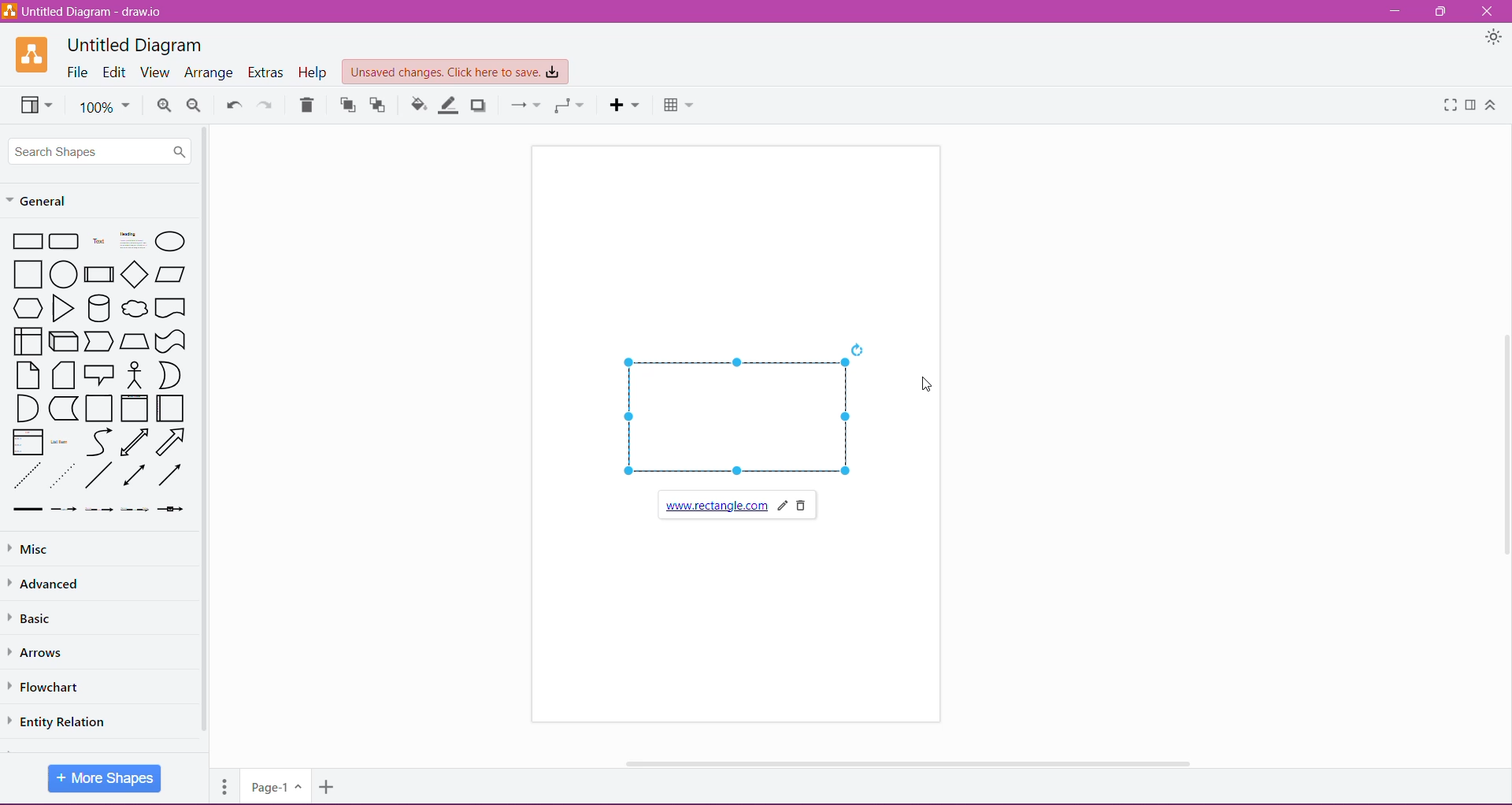 The height and width of the screenshot is (805, 1512). Describe the element at coordinates (104, 106) in the screenshot. I see `Zoom` at that location.